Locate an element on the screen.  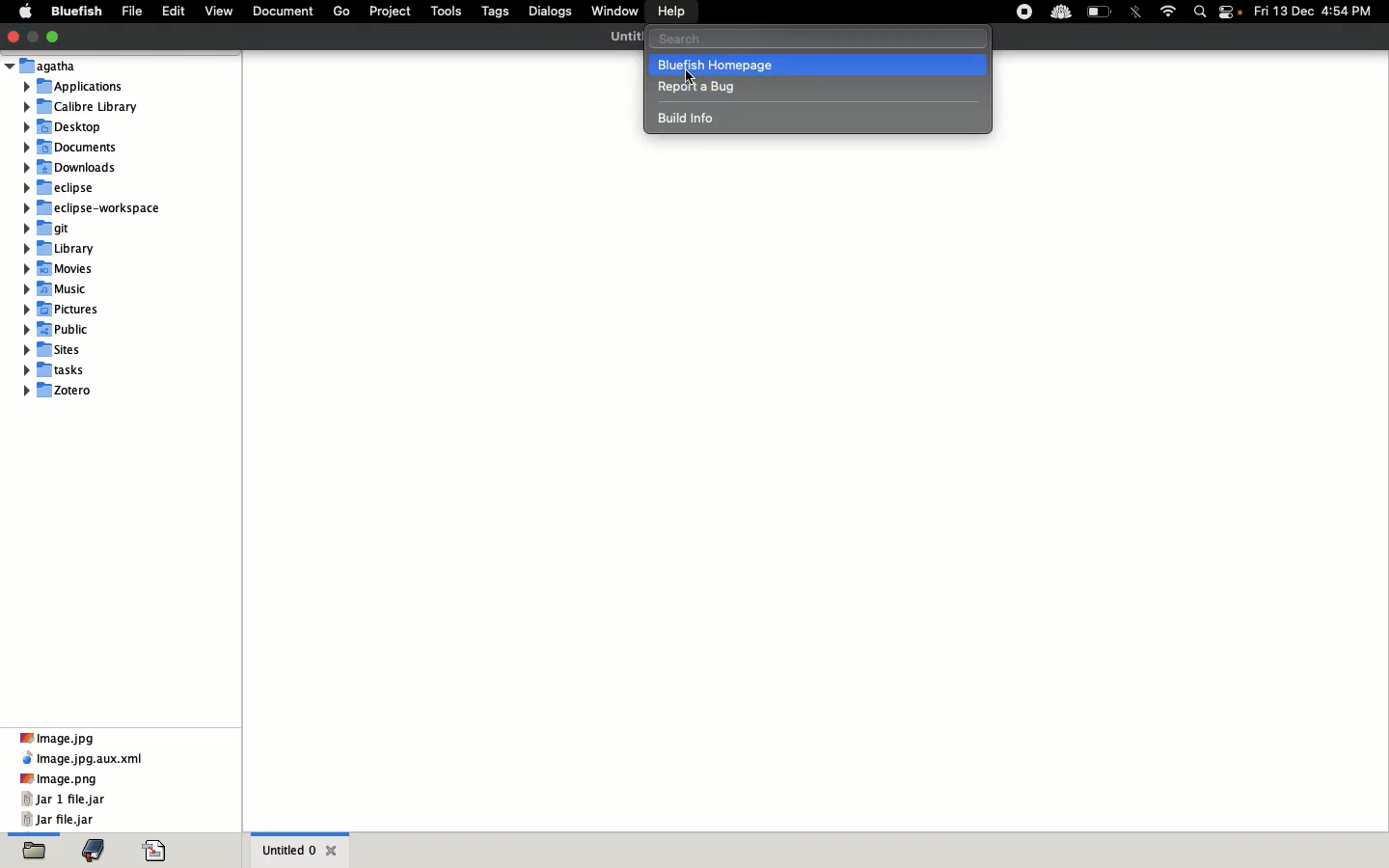
downloads is located at coordinates (74, 168).